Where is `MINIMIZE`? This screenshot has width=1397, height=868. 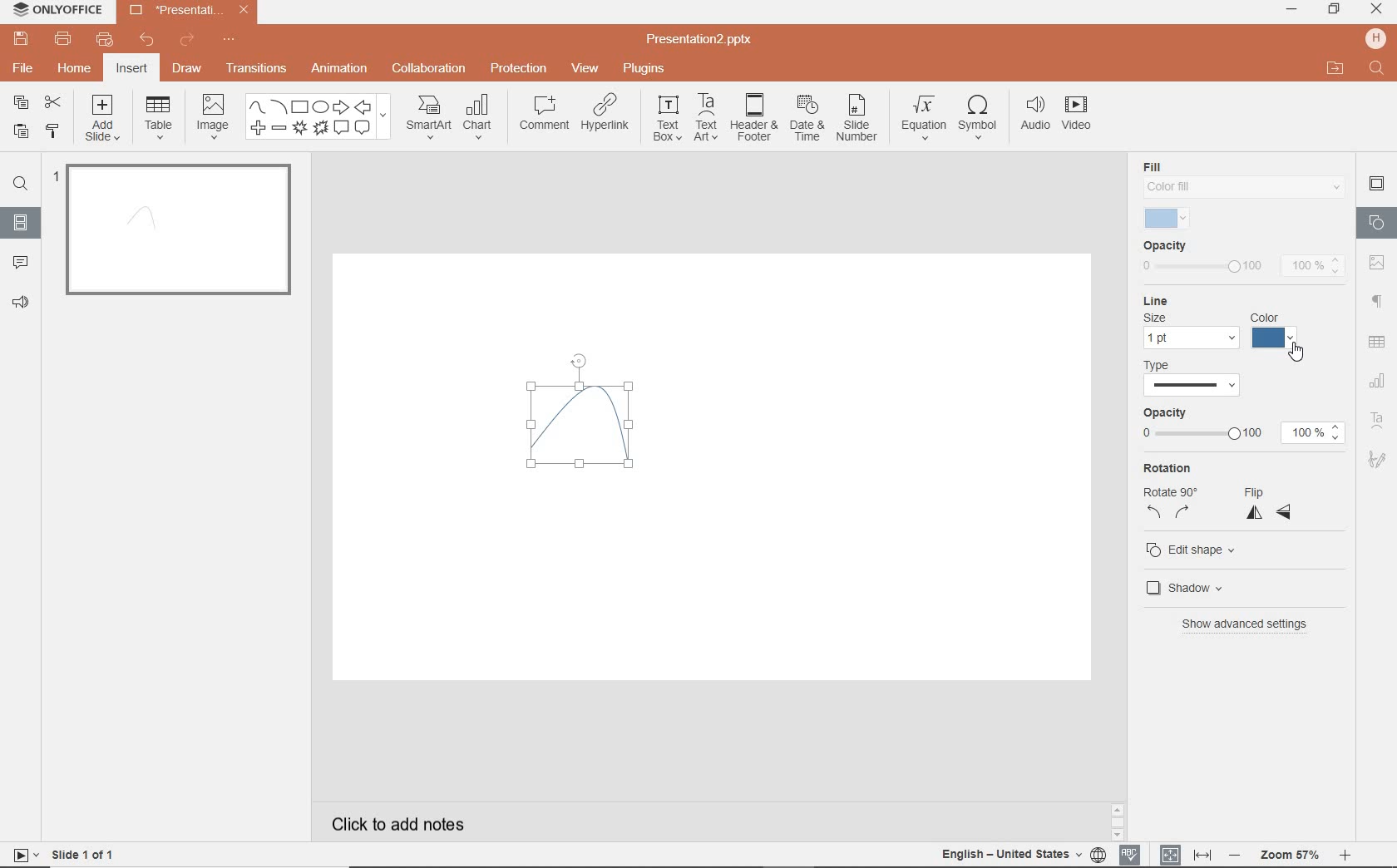 MINIMIZE is located at coordinates (1291, 10).